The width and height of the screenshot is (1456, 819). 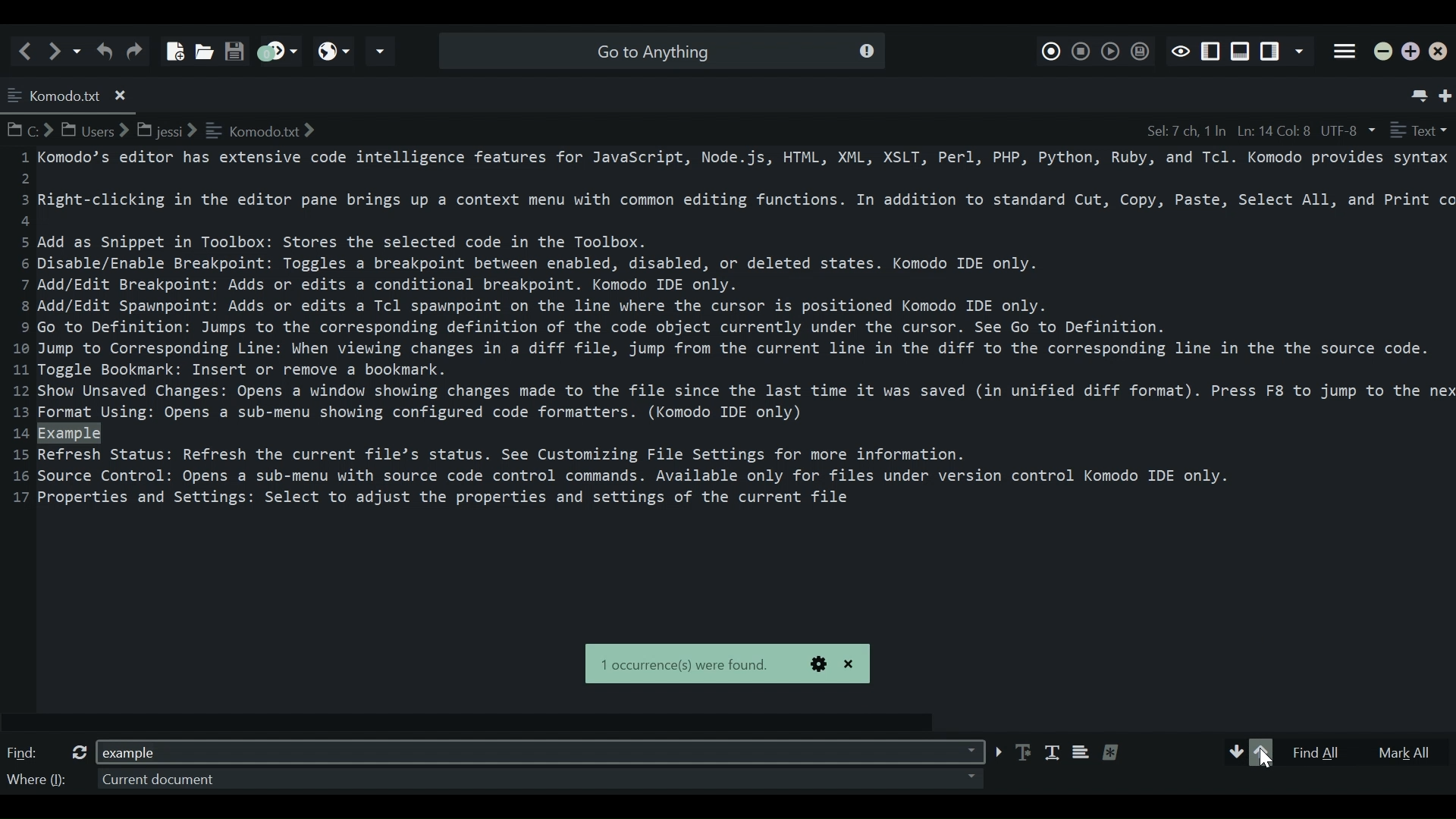 I want to click on Stop Recording Macro, so click(x=1081, y=49).